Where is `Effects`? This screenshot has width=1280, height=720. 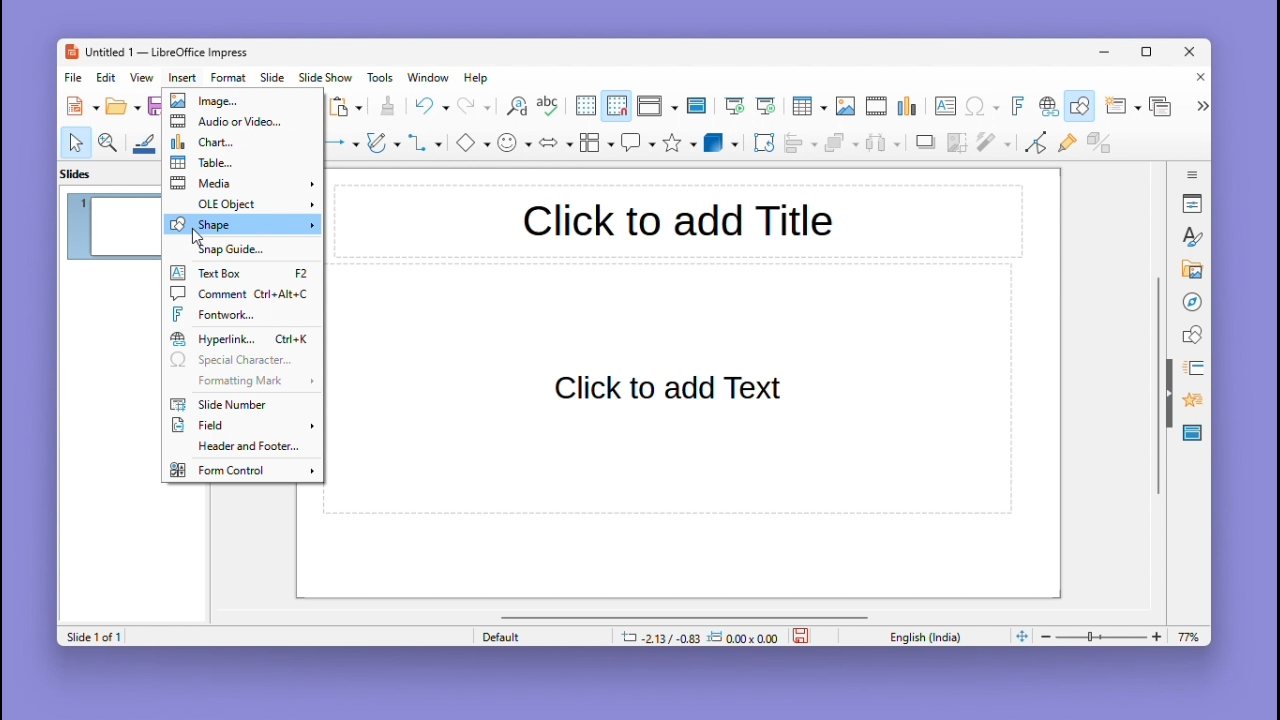 Effects is located at coordinates (1190, 403).